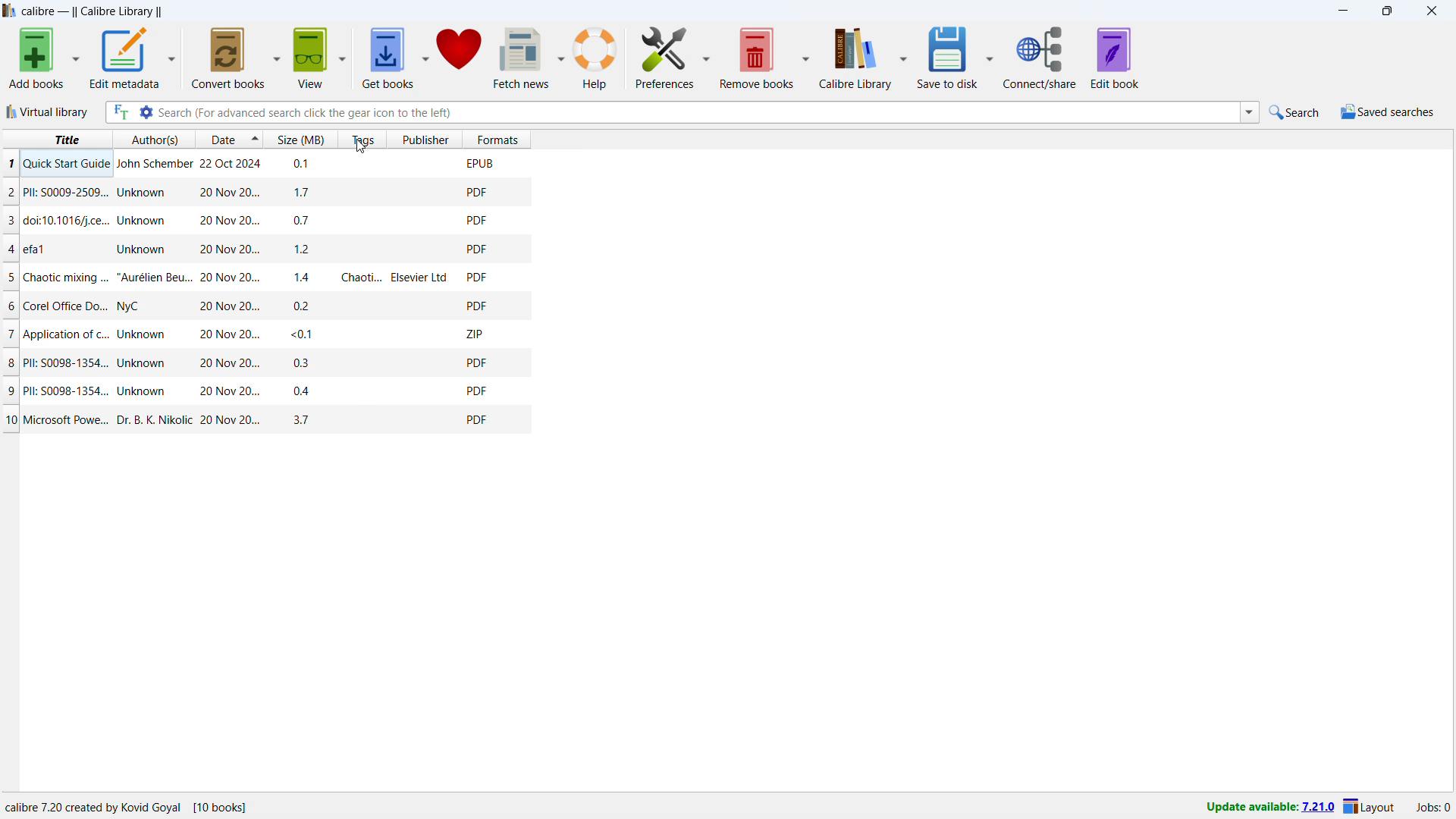 This screenshot has height=819, width=1456. Describe the element at coordinates (48, 111) in the screenshot. I see `virtual library` at that location.